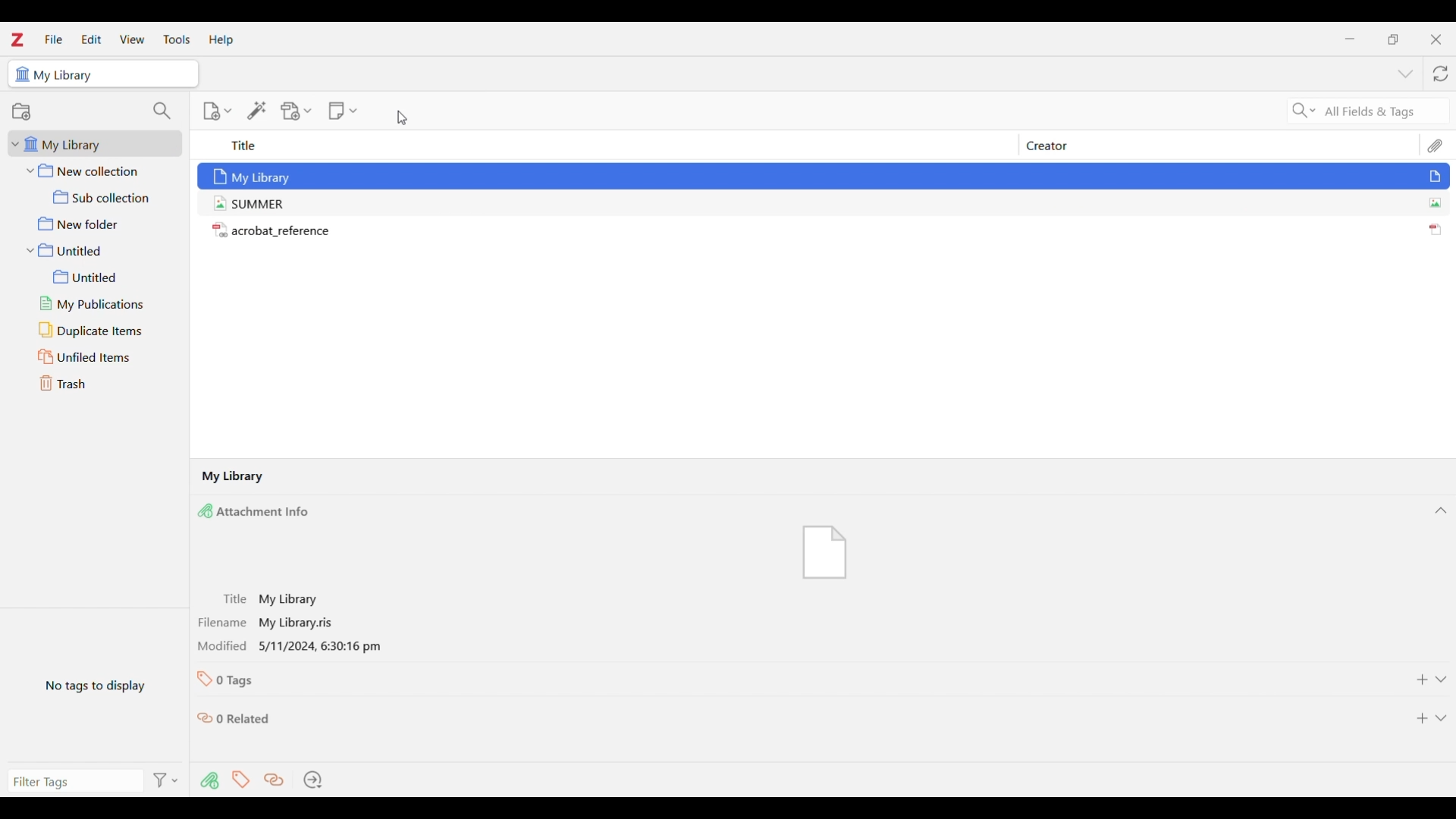  What do you see at coordinates (293, 114) in the screenshot?
I see `Add attachment` at bounding box center [293, 114].